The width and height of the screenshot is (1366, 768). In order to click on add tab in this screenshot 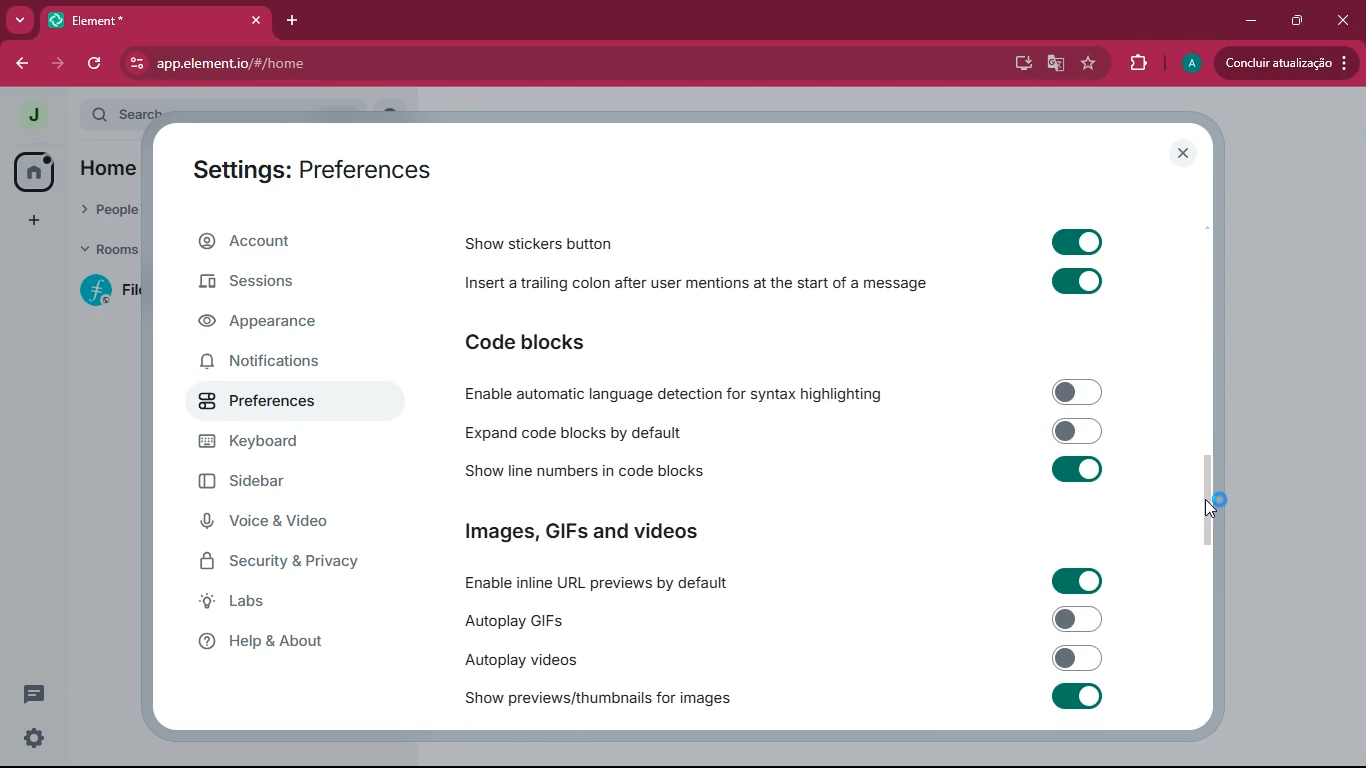, I will do `click(294, 20)`.